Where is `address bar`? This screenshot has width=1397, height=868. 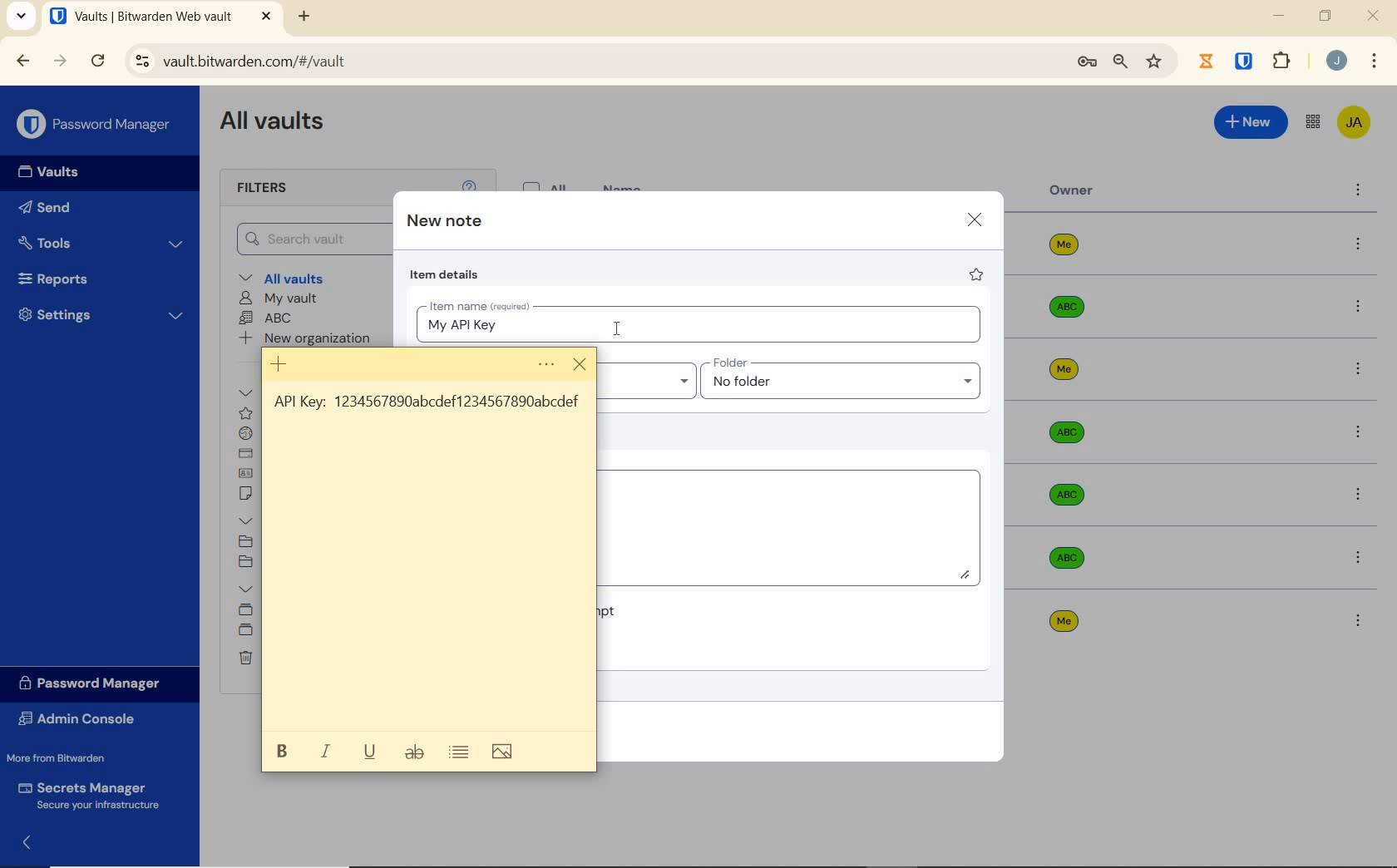
address bar is located at coordinates (589, 61).